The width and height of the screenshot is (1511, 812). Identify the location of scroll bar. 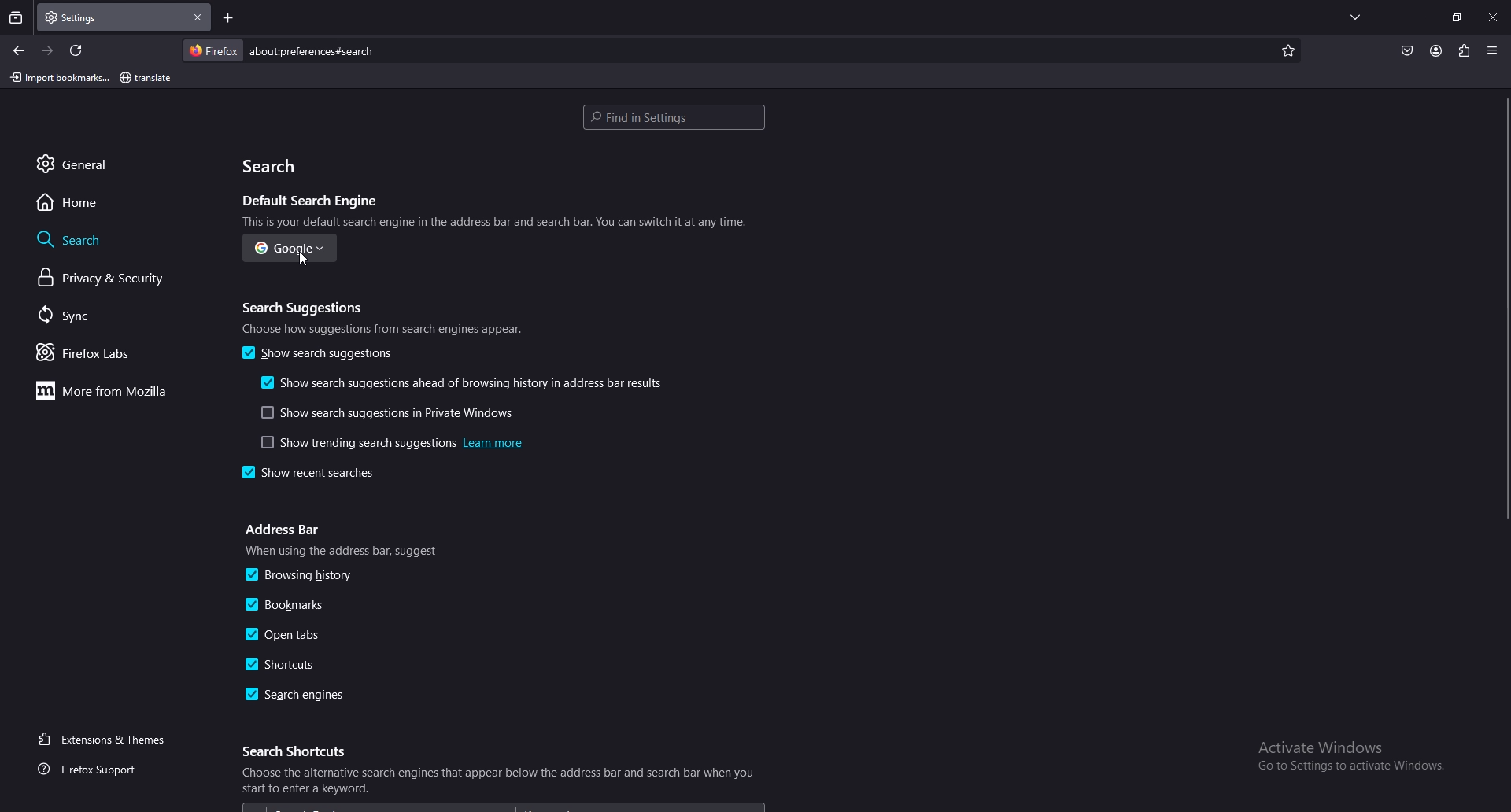
(1502, 308).